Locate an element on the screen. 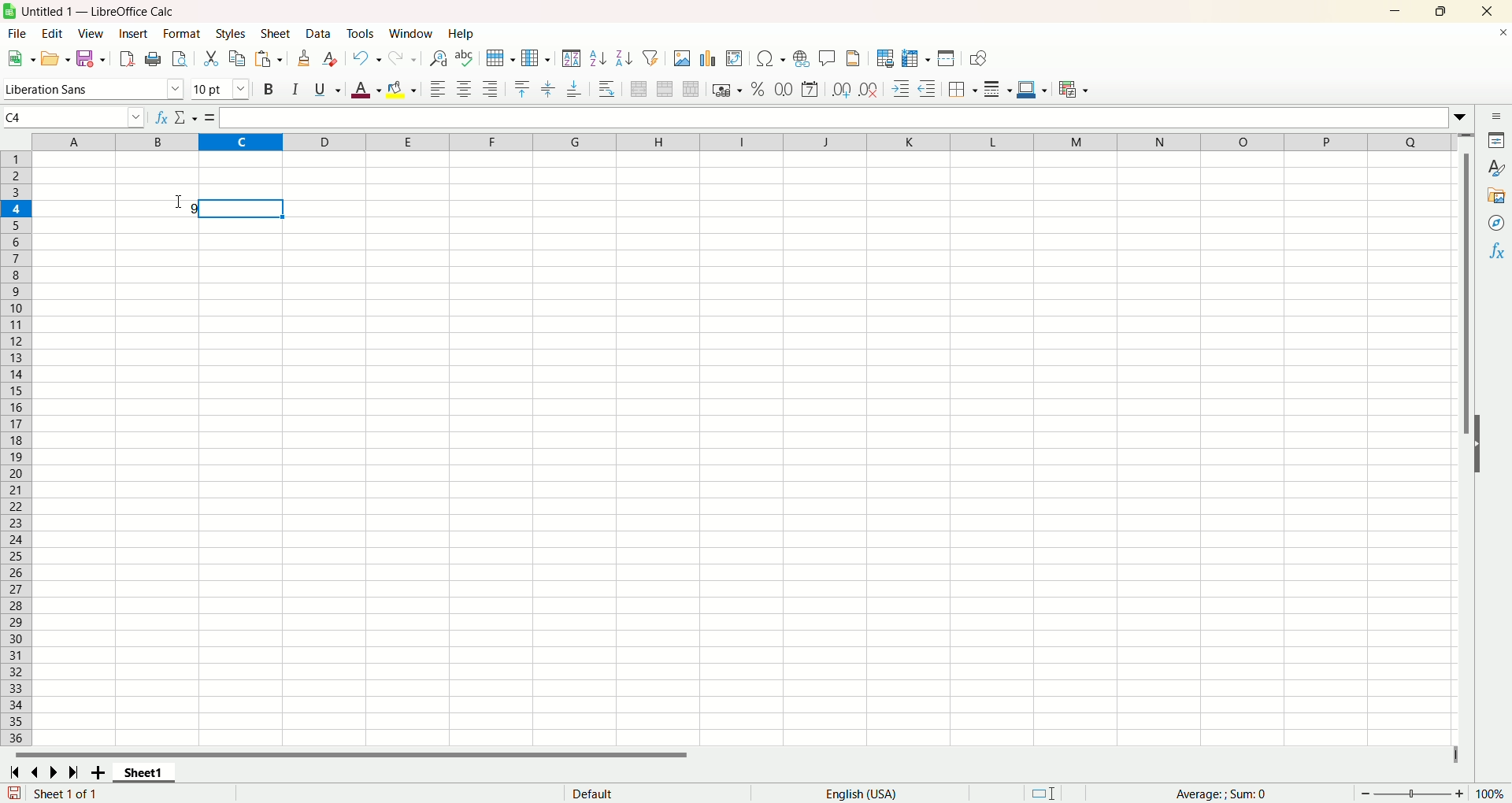 The image size is (1512, 803). format as percent is located at coordinates (755, 90).